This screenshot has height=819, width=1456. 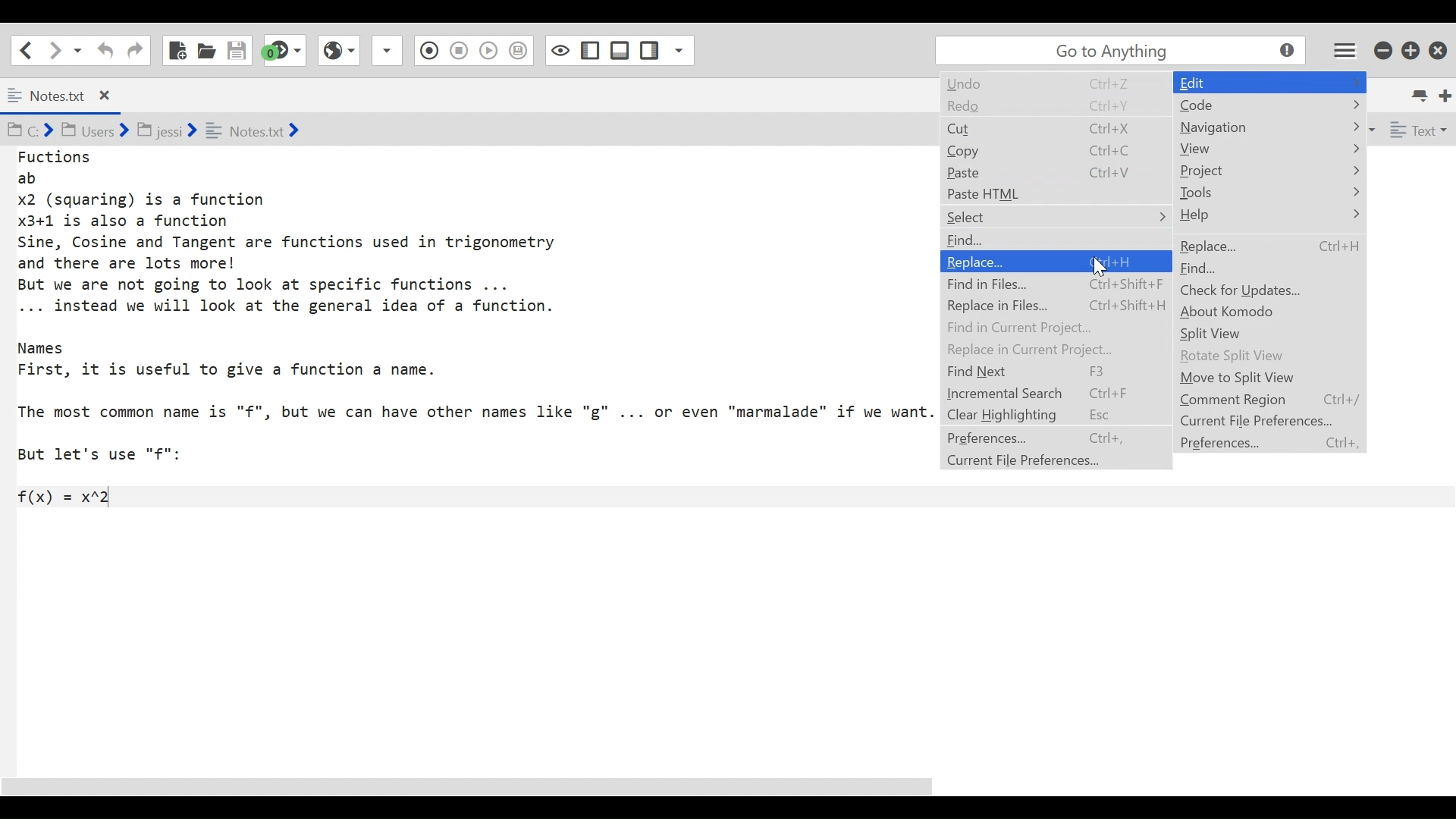 What do you see at coordinates (1041, 349) in the screenshot?
I see `Replace in Current Project` at bounding box center [1041, 349].